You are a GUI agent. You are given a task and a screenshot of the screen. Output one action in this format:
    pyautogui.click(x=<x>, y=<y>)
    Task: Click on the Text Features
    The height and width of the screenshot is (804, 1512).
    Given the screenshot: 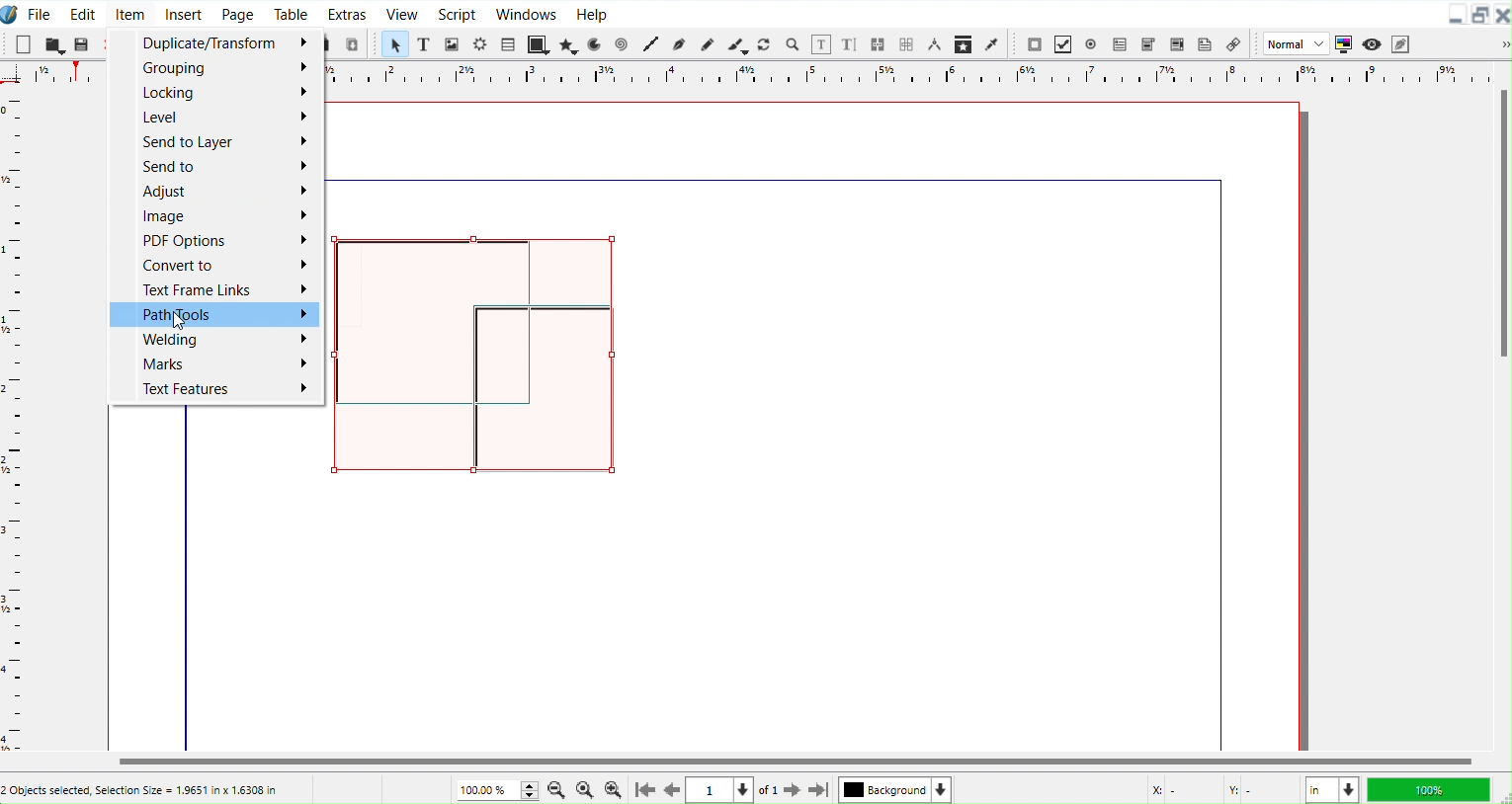 What is the action you would take?
    pyautogui.click(x=211, y=389)
    